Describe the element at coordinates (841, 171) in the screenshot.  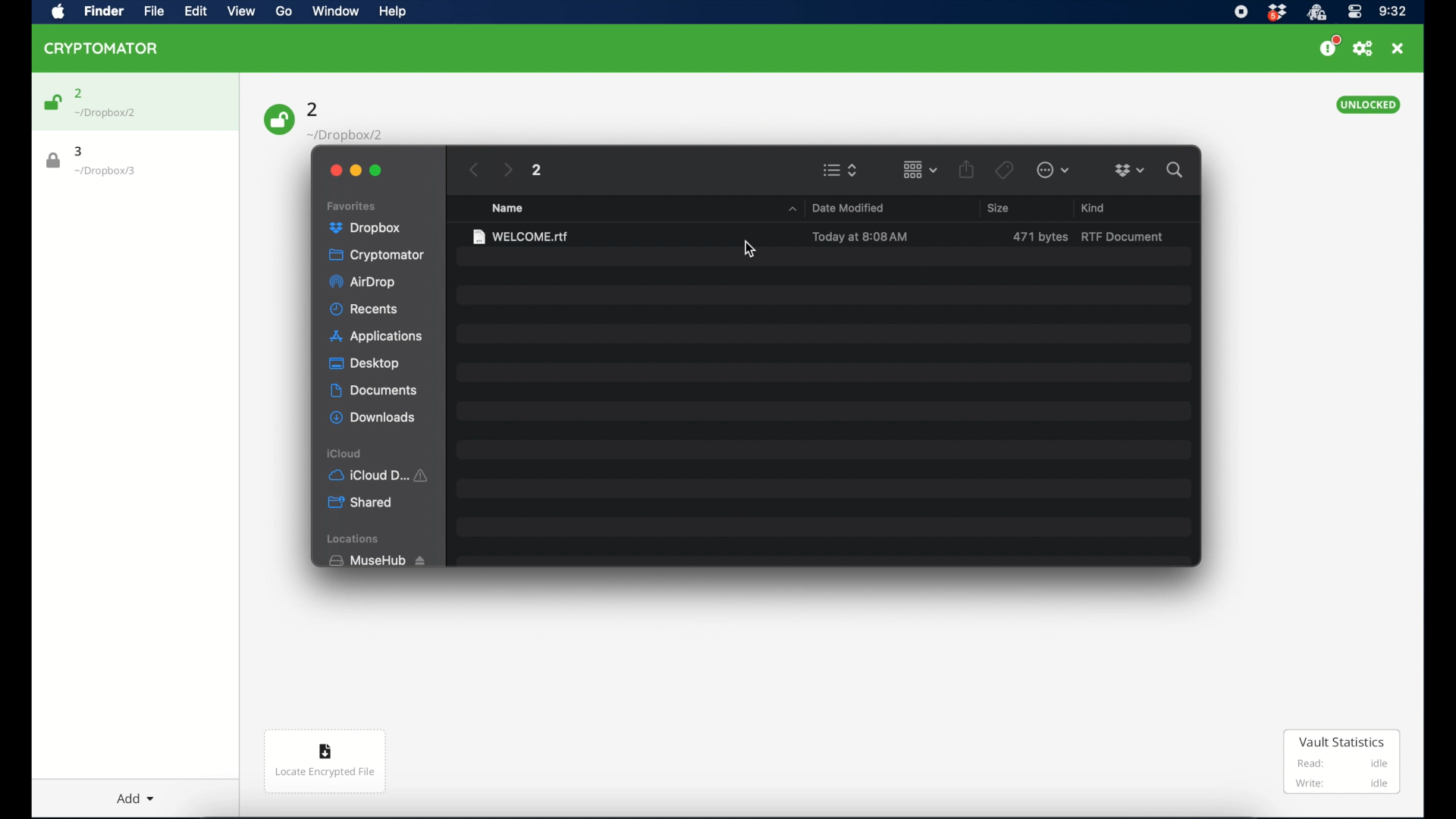
I see `list view stepper button` at that location.